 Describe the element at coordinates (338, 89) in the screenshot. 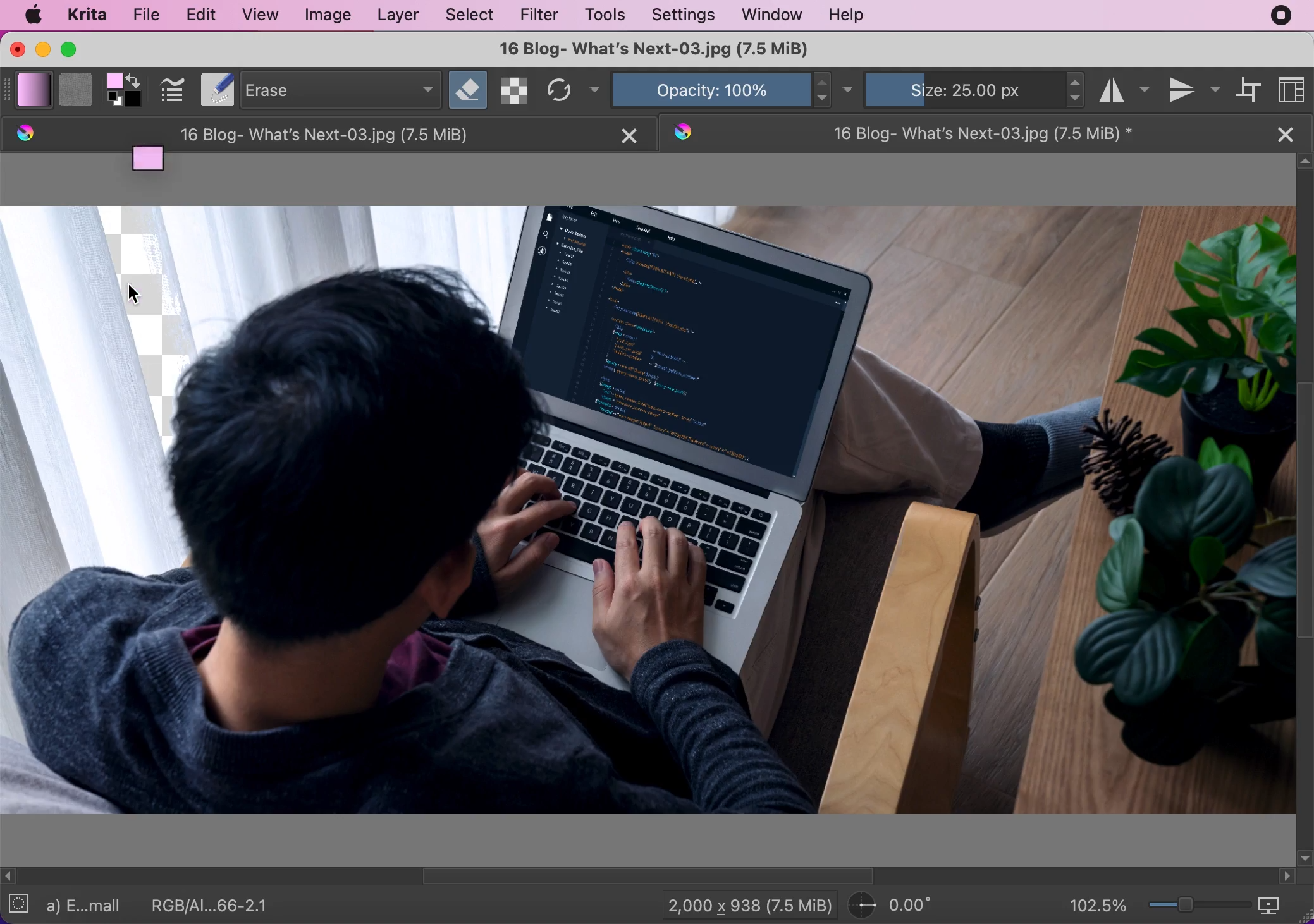

I see `erase` at that location.